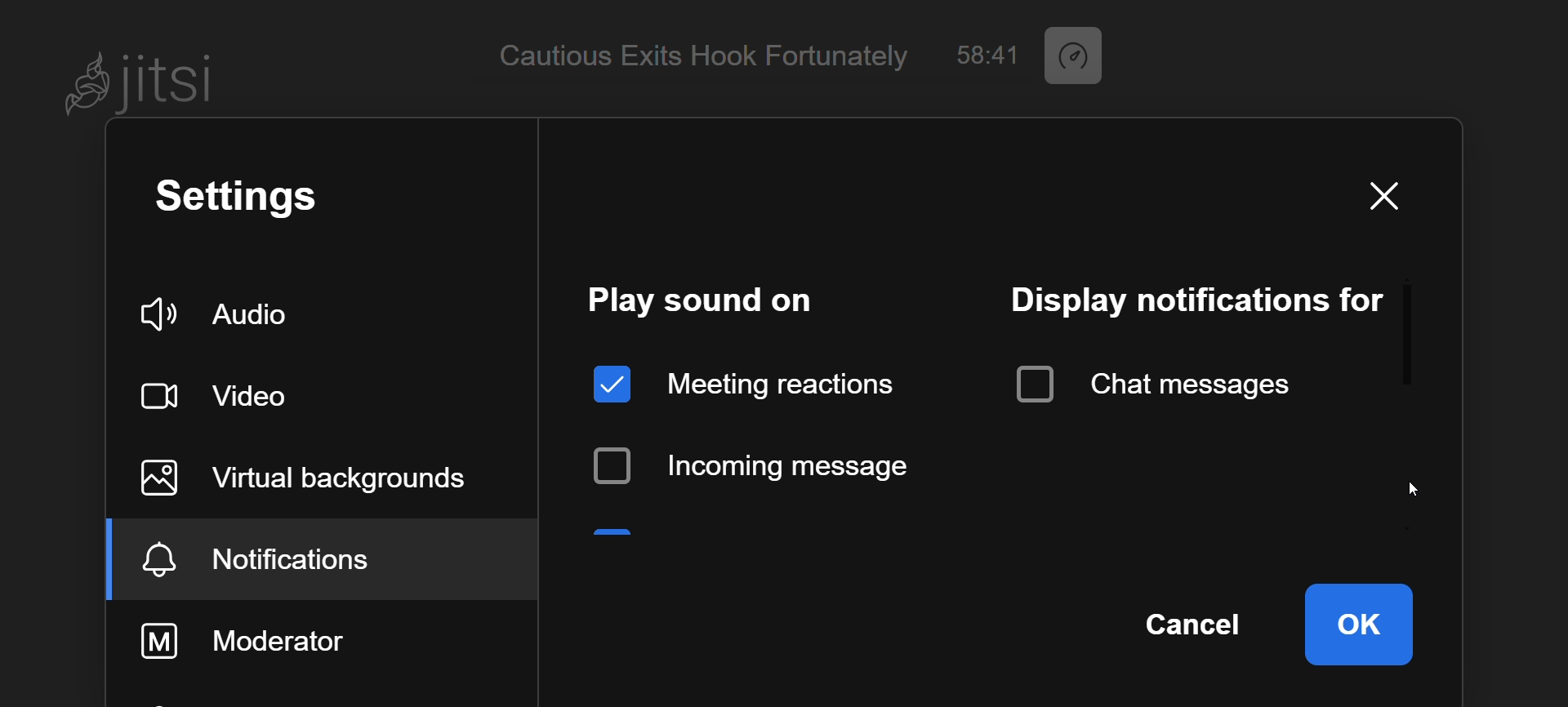 The width and height of the screenshot is (1568, 707). I want to click on cancel, so click(1192, 620).